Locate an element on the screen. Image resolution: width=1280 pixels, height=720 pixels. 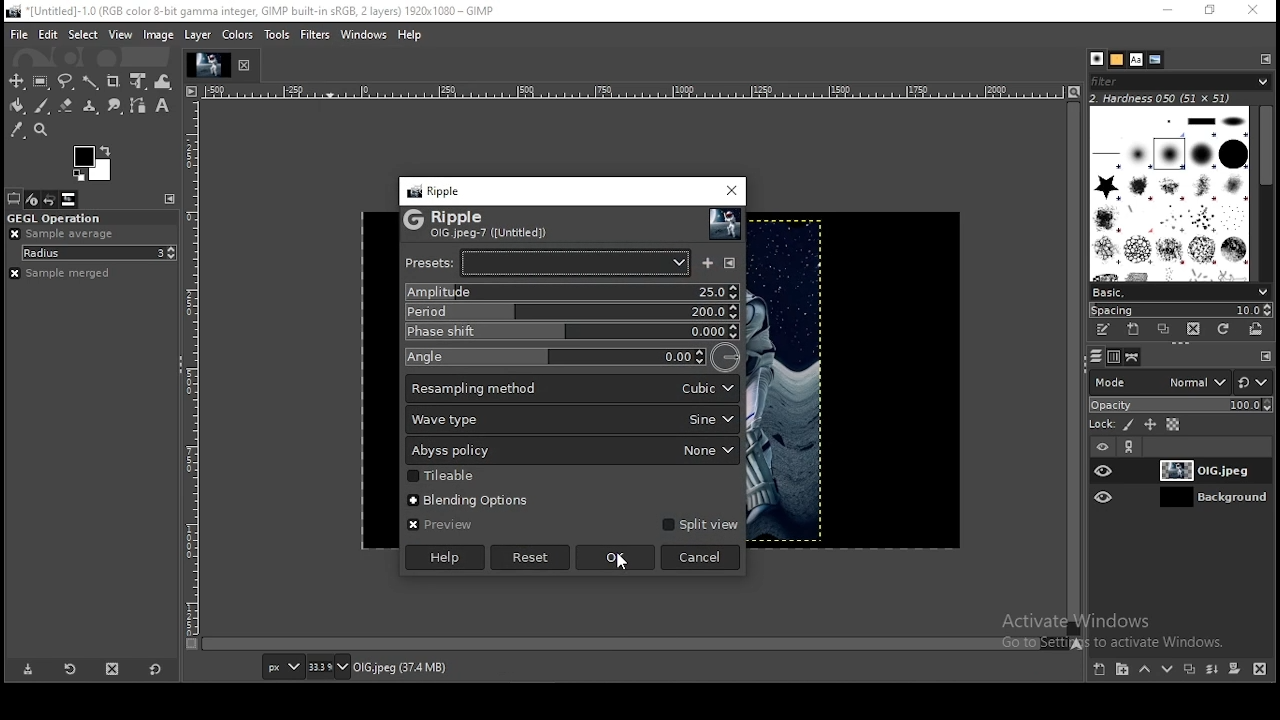
paintbrush tool is located at coordinates (42, 106).